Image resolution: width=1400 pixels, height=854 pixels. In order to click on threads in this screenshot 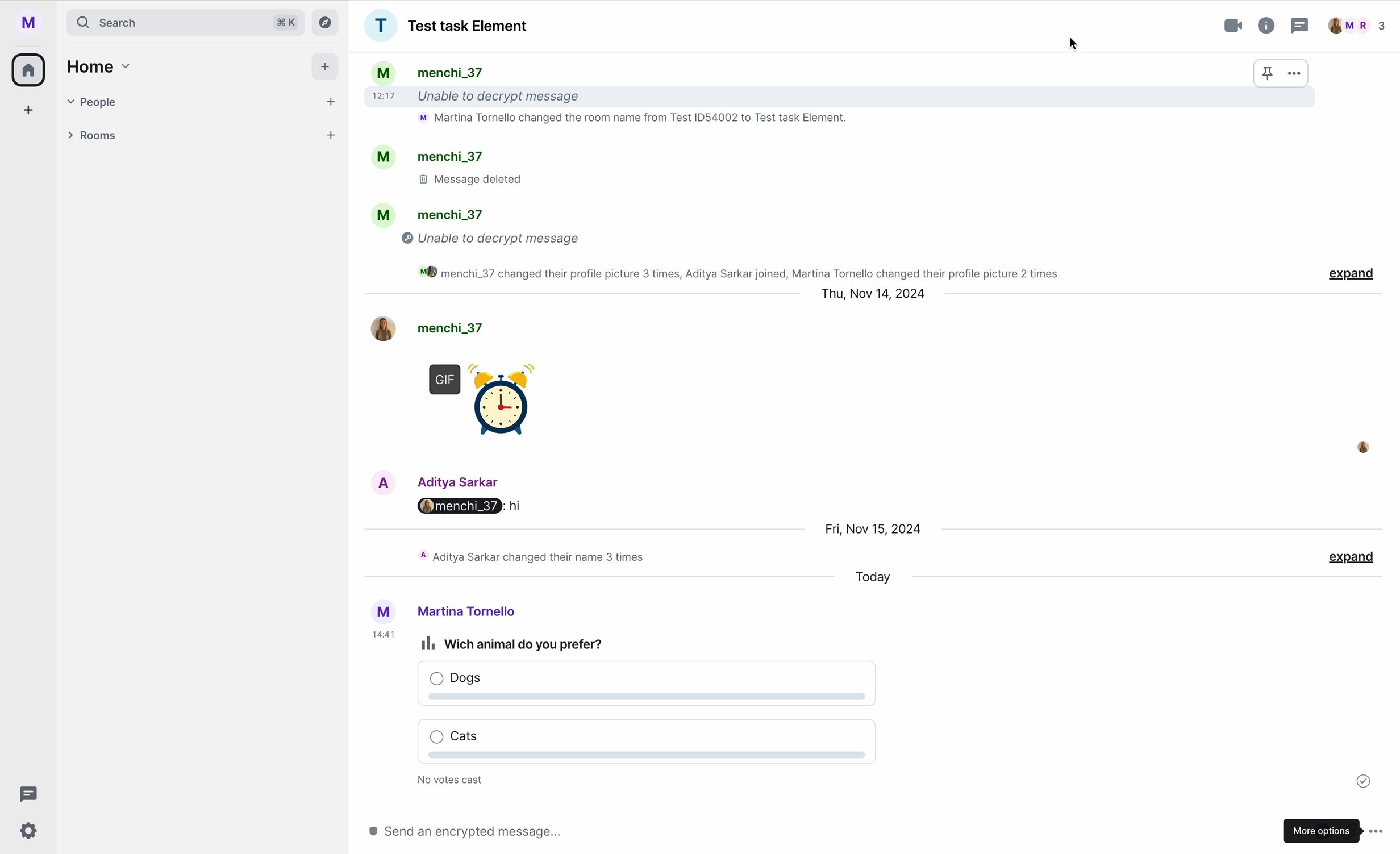, I will do `click(25, 794)`.